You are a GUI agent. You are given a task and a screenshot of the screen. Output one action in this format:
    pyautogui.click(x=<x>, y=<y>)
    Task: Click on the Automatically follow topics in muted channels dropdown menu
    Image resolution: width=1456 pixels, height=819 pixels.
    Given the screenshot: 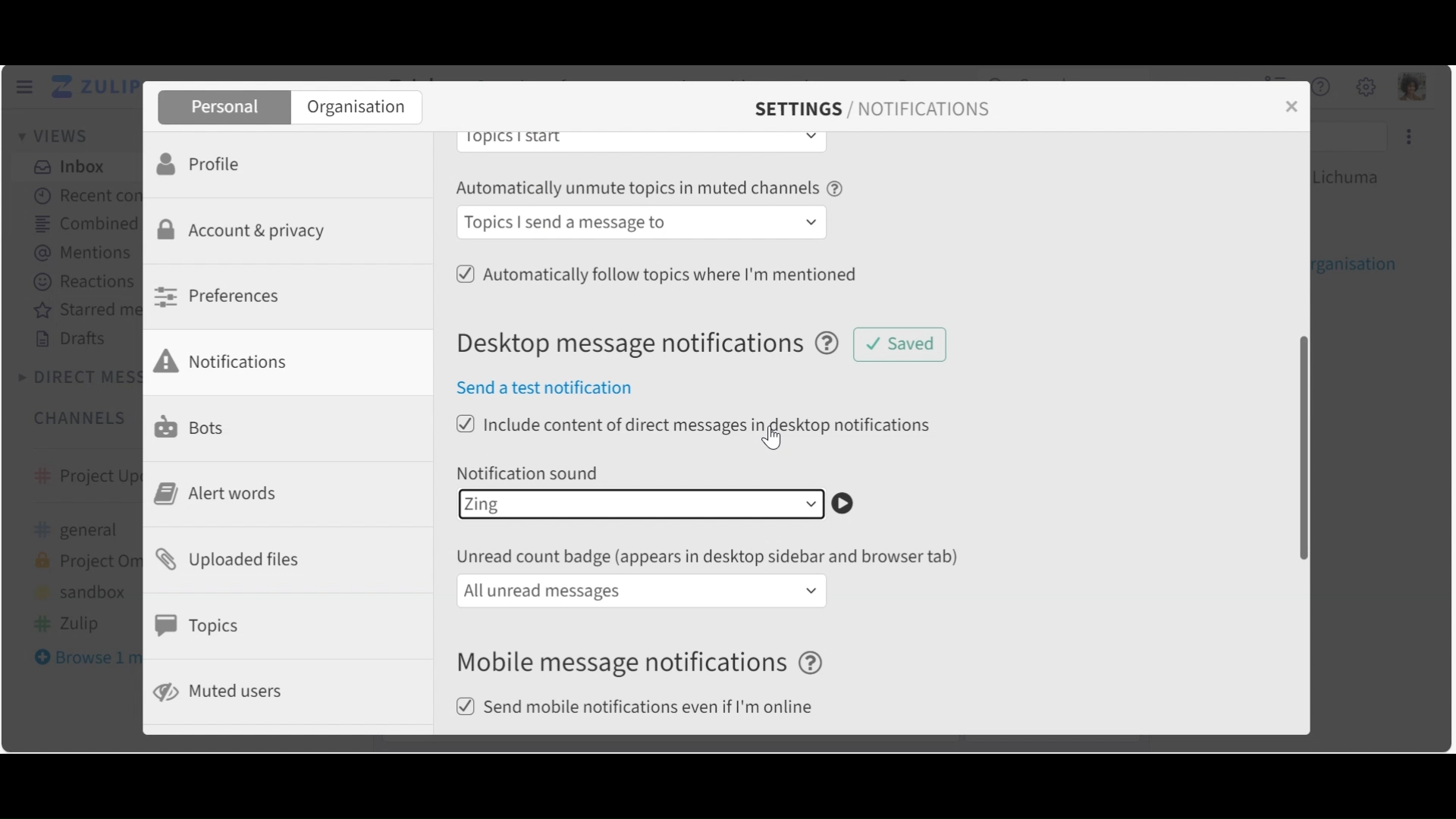 What is the action you would take?
    pyautogui.click(x=644, y=224)
    